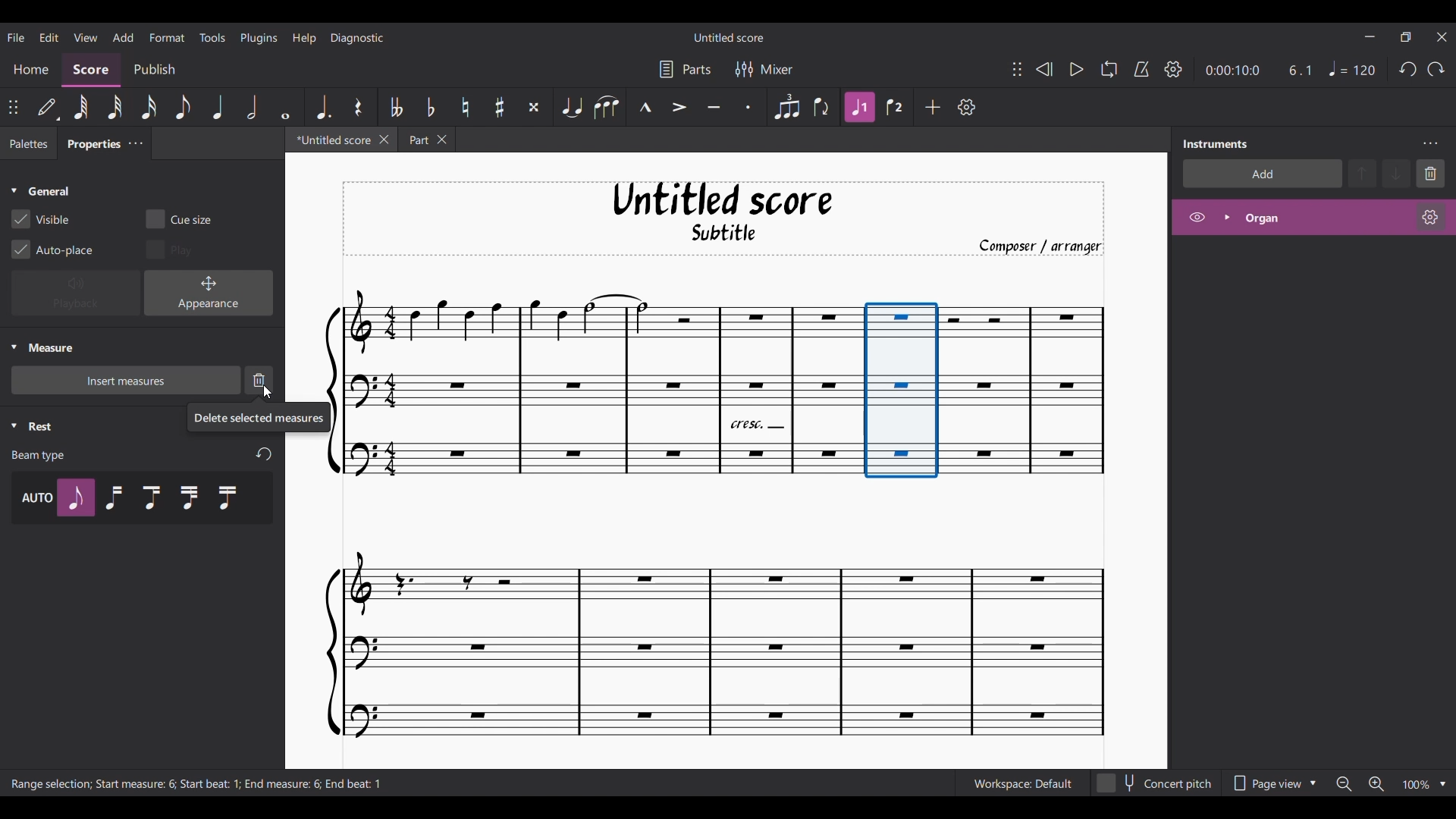  Describe the element at coordinates (1021, 783) in the screenshot. I see `Workspace settings` at that location.